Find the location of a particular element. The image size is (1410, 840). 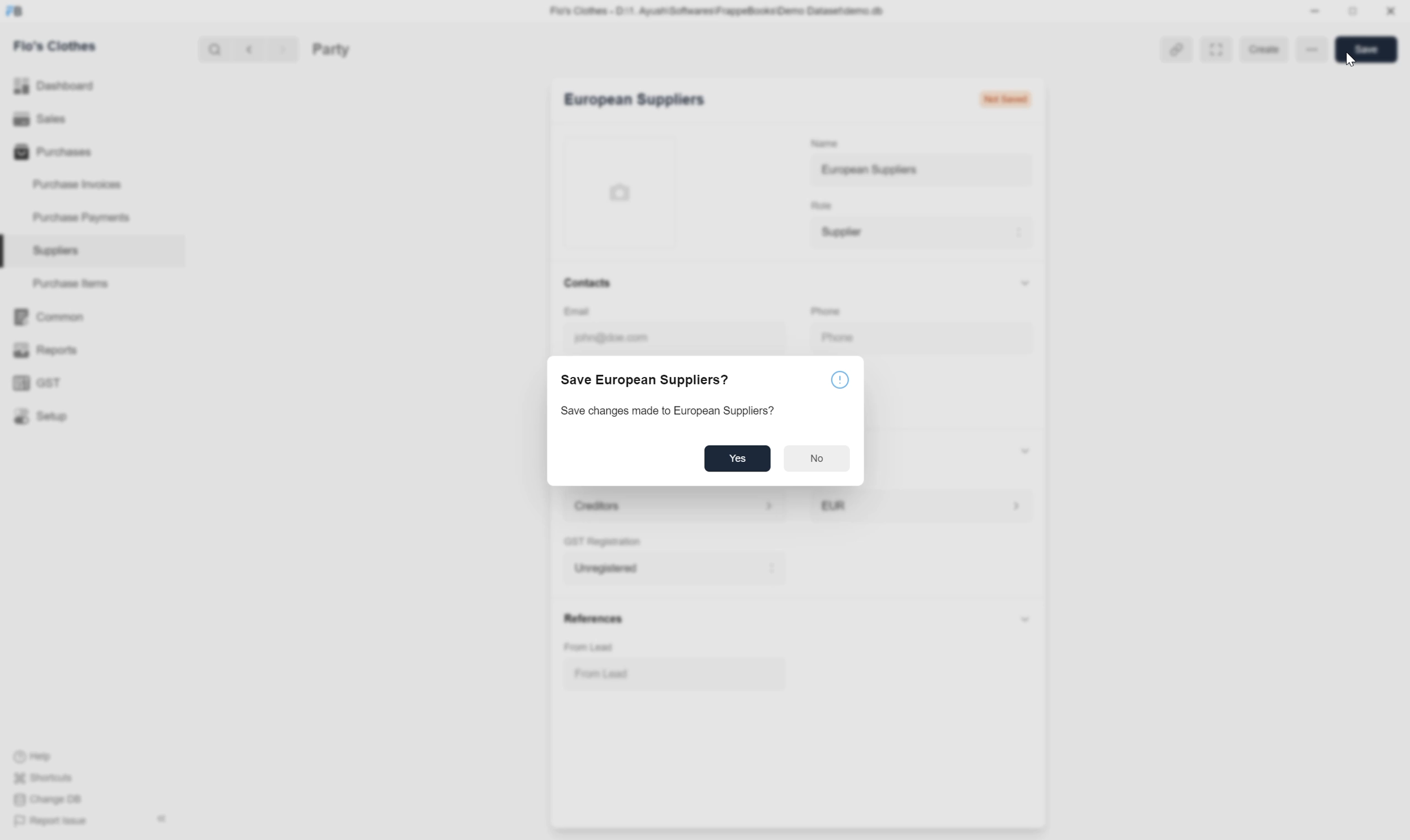

help is located at coordinates (32, 758).